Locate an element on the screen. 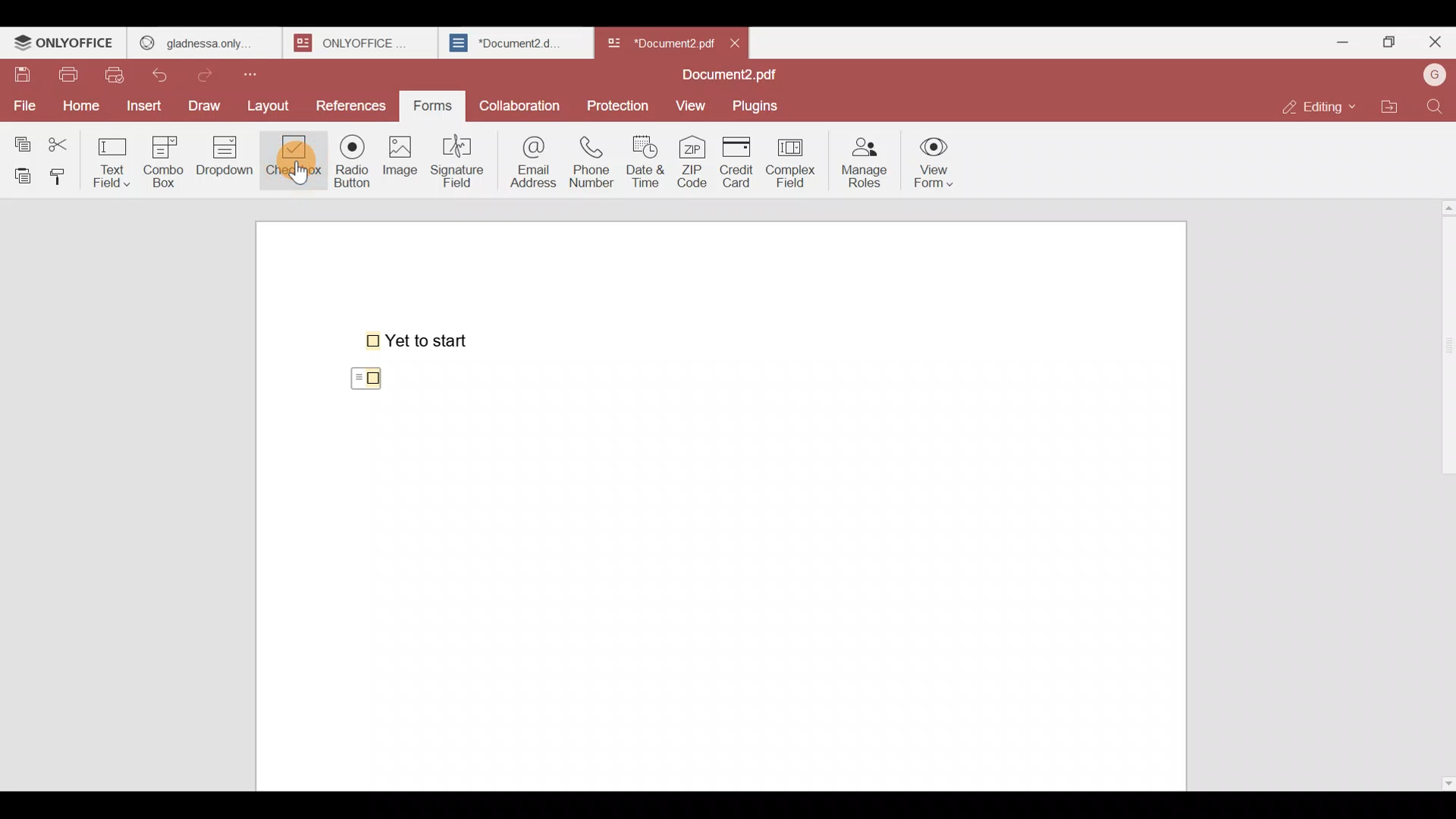 The height and width of the screenshot is (819, 1456). Document2.d is located at coordinates (515, 47).